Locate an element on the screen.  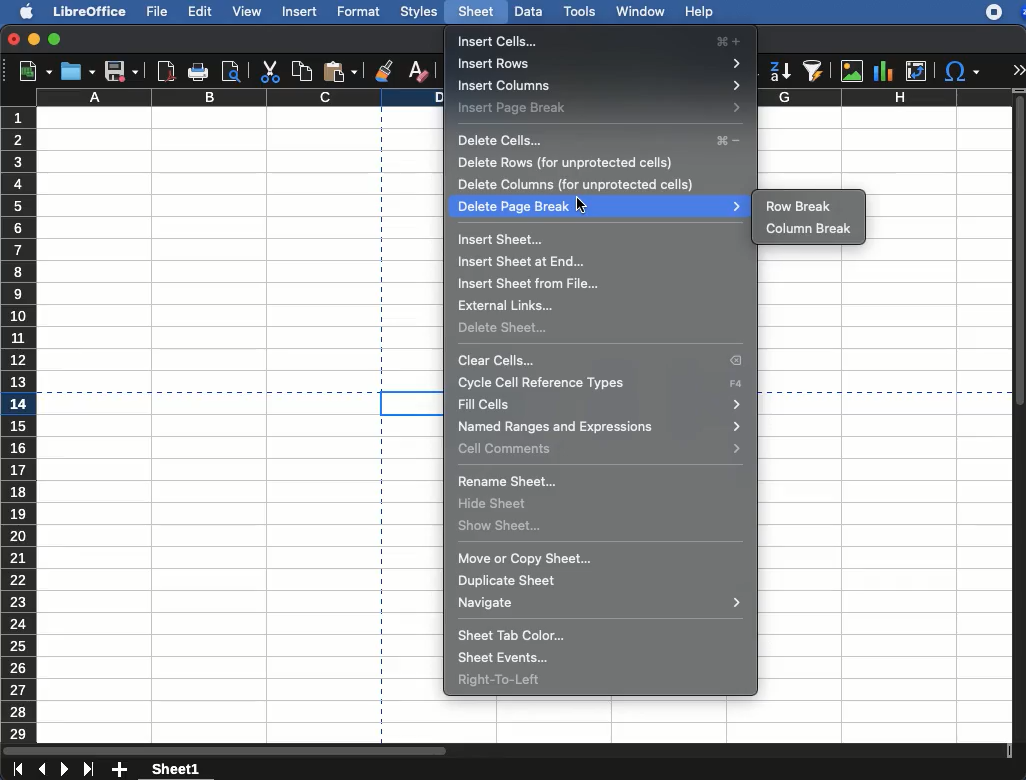
insert sheet from file is located at coordinates (530, 283).